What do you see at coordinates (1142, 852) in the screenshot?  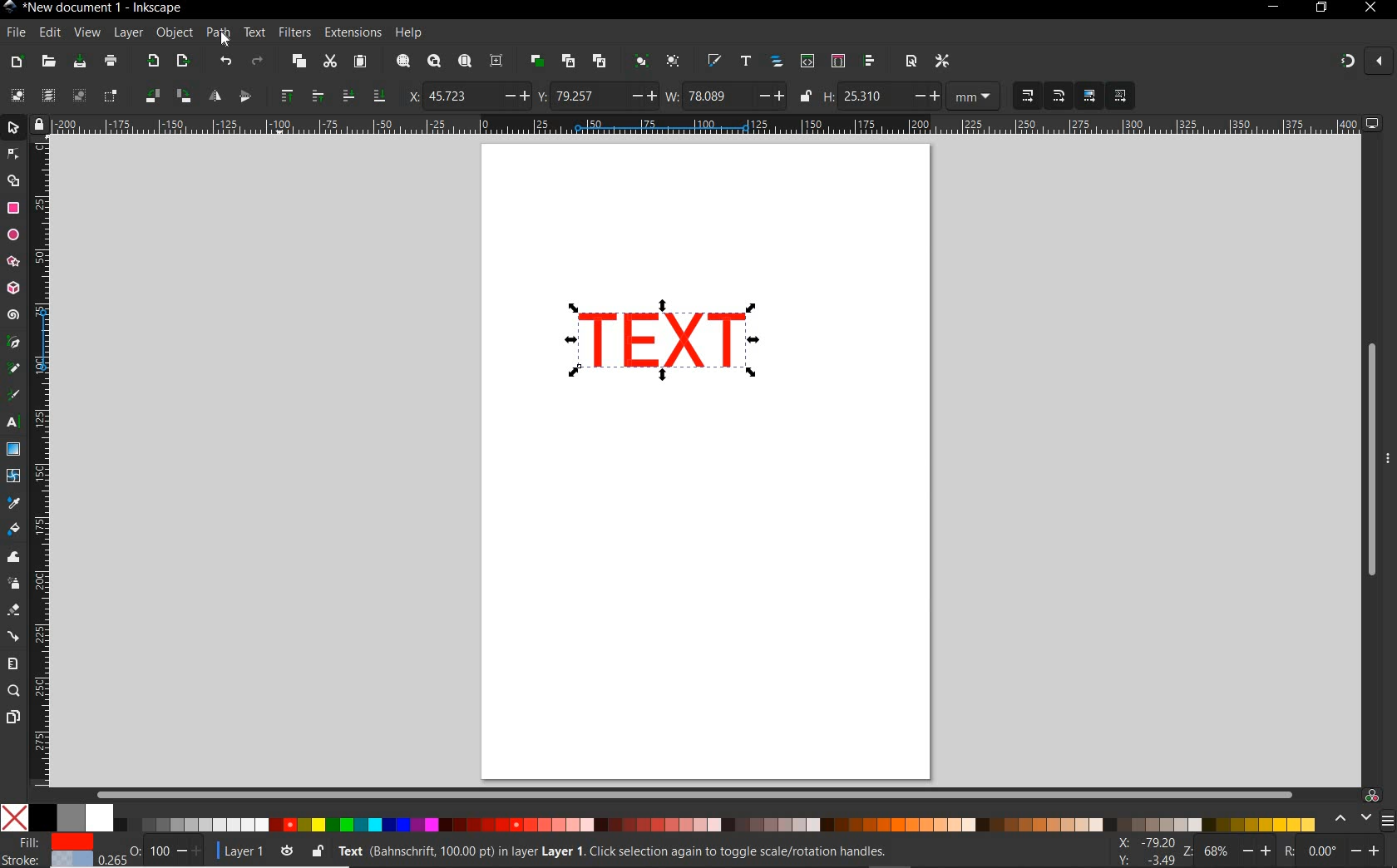 I see `CURSOR COORDINATES` at bounding box center [1142, 852].